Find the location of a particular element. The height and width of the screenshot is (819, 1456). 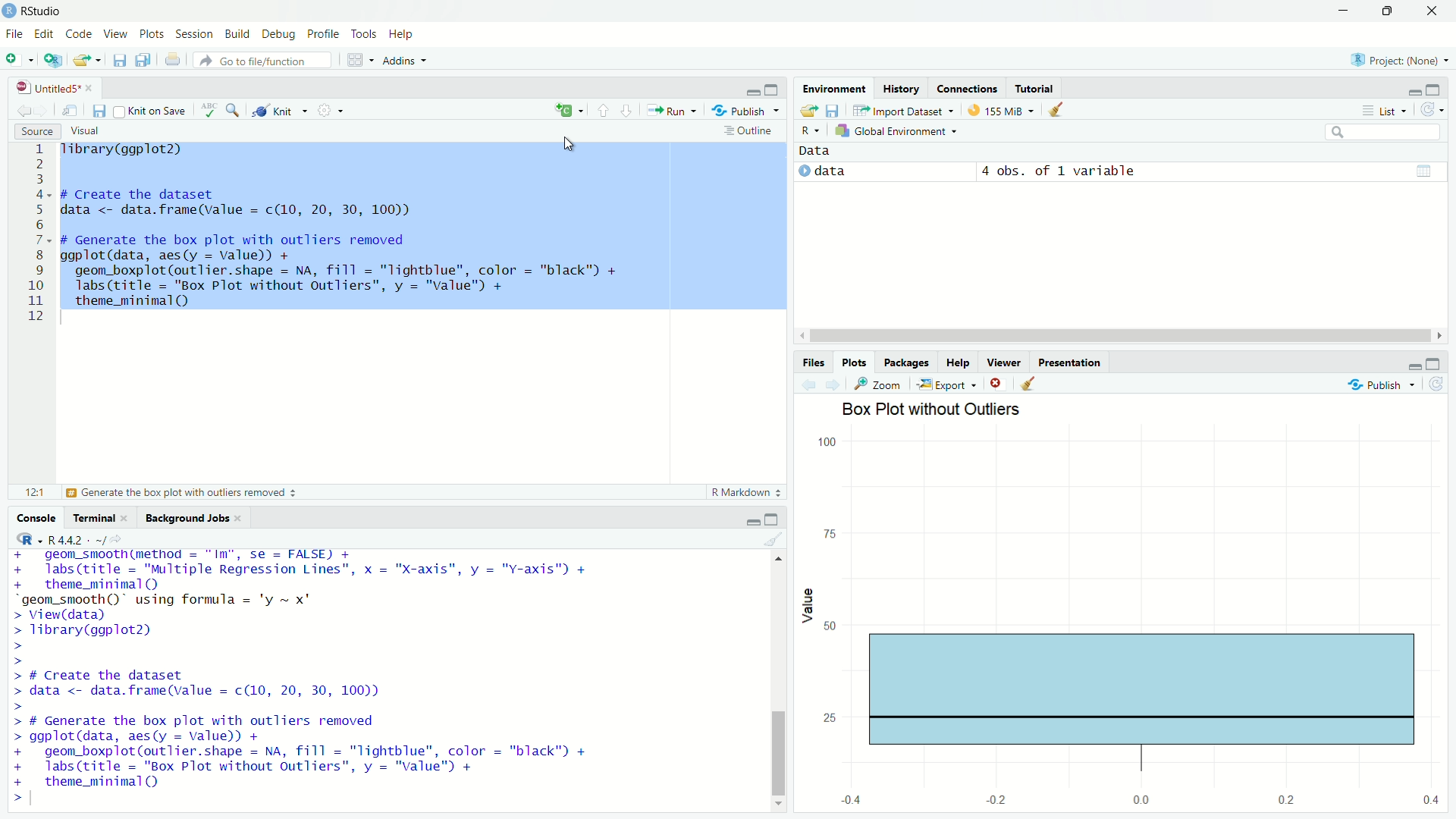

downward is located at coordinates (631, 111).